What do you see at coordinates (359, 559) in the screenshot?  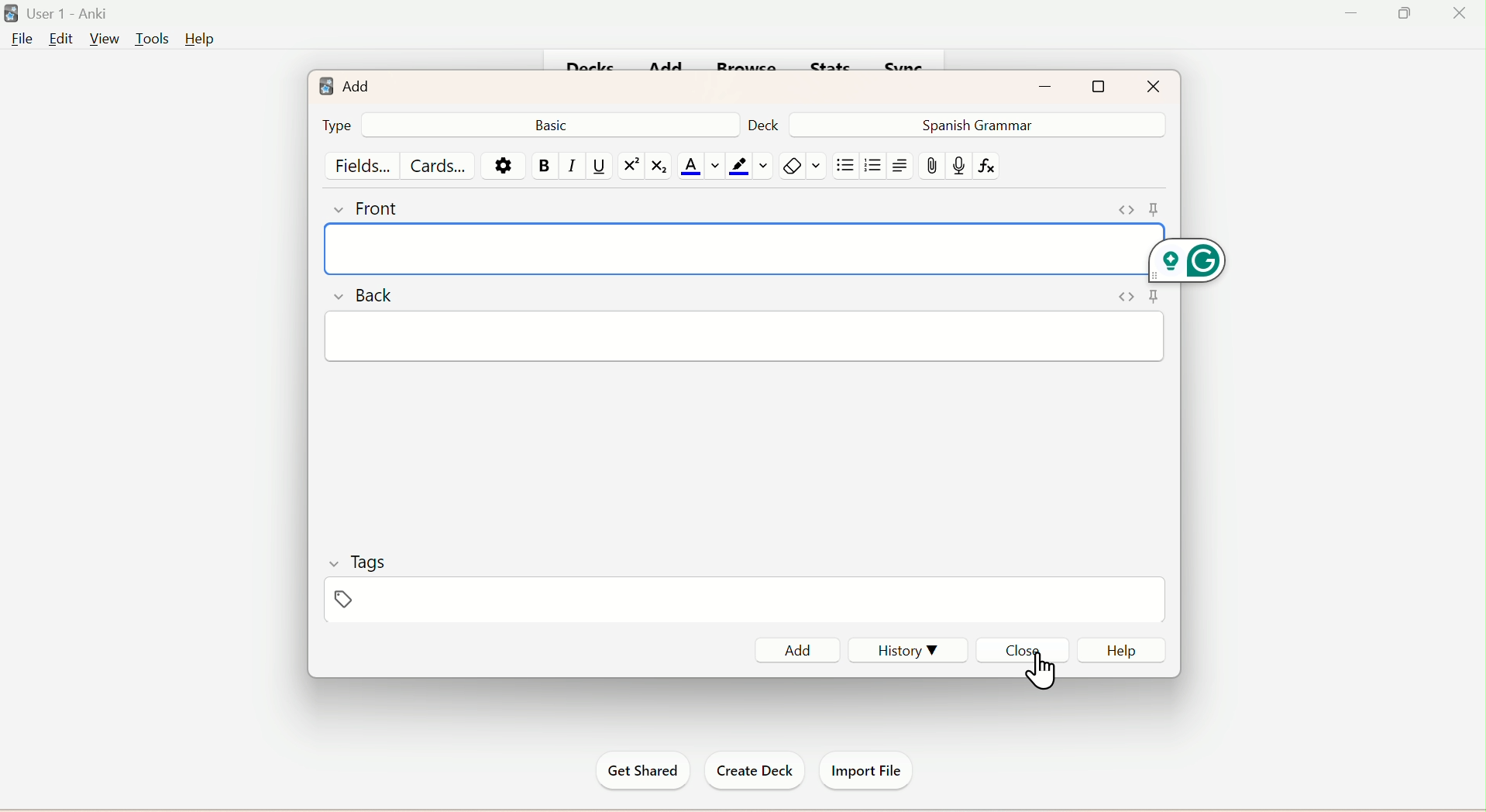 I see `Tags` at bounding box center [359, 559].